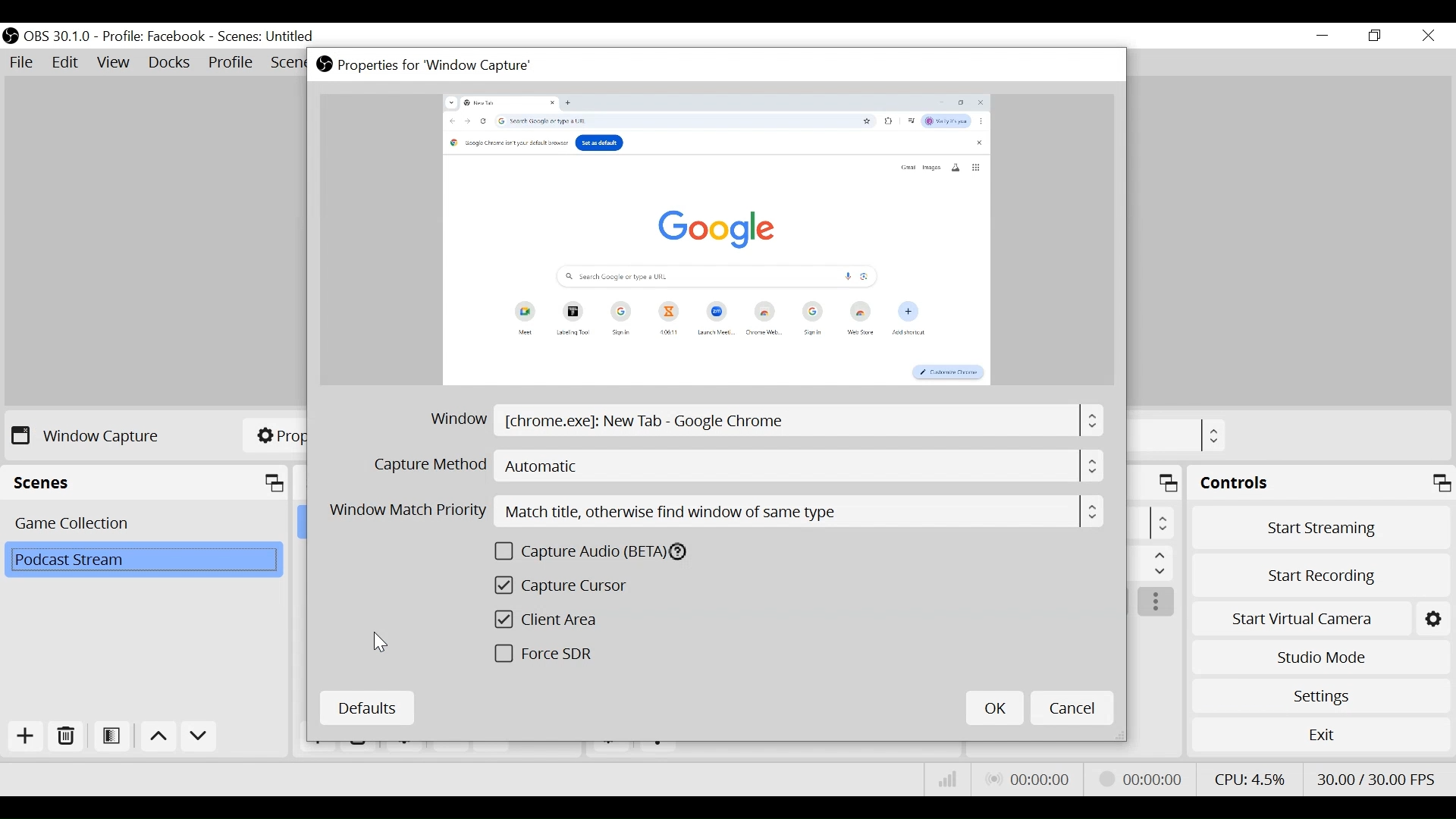  Describe the element at coordinates (24, 64) in the screenshot. I see `File` at that location.